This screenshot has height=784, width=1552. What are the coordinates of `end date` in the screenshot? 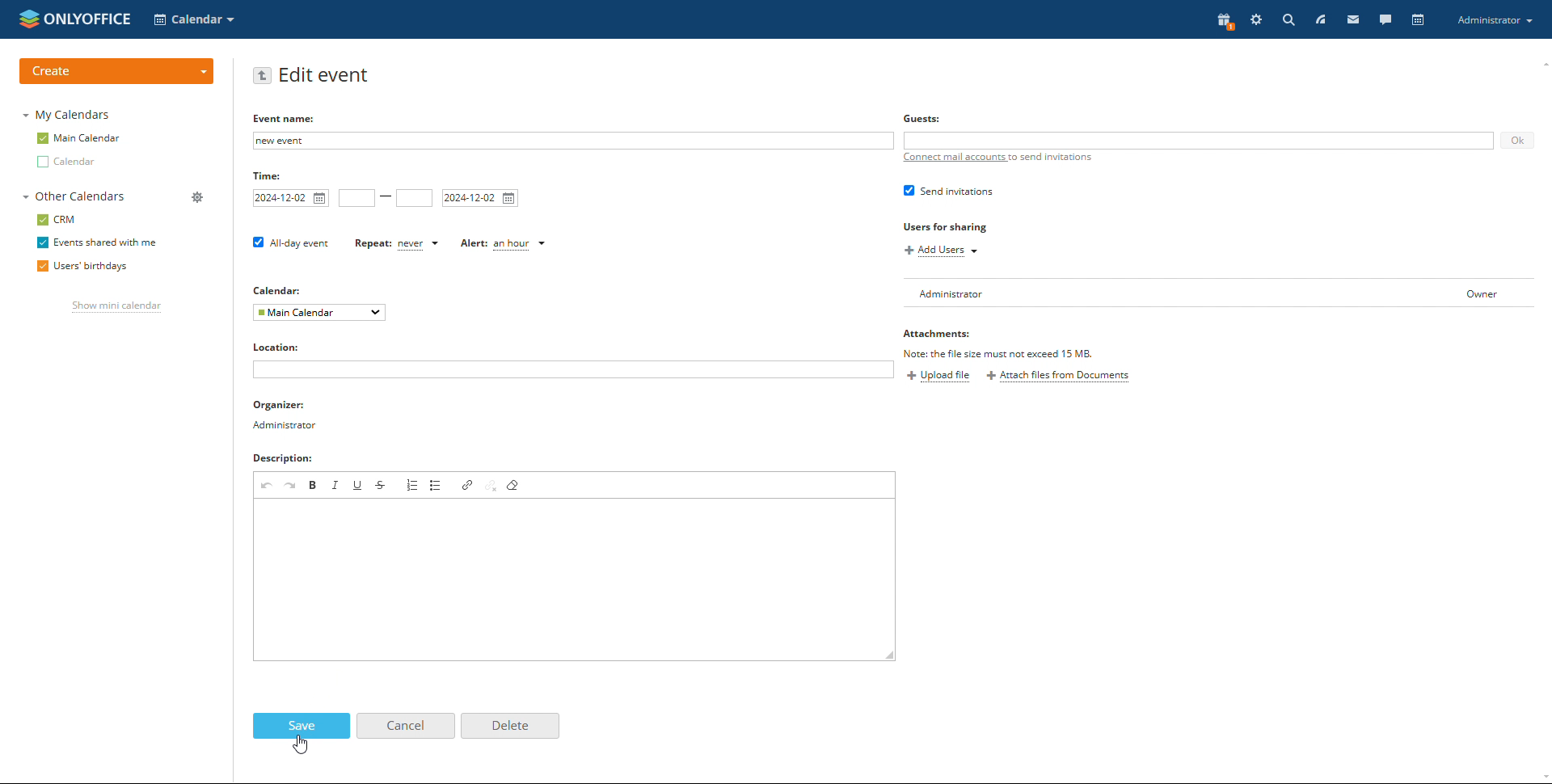 It's located at (482, 198).